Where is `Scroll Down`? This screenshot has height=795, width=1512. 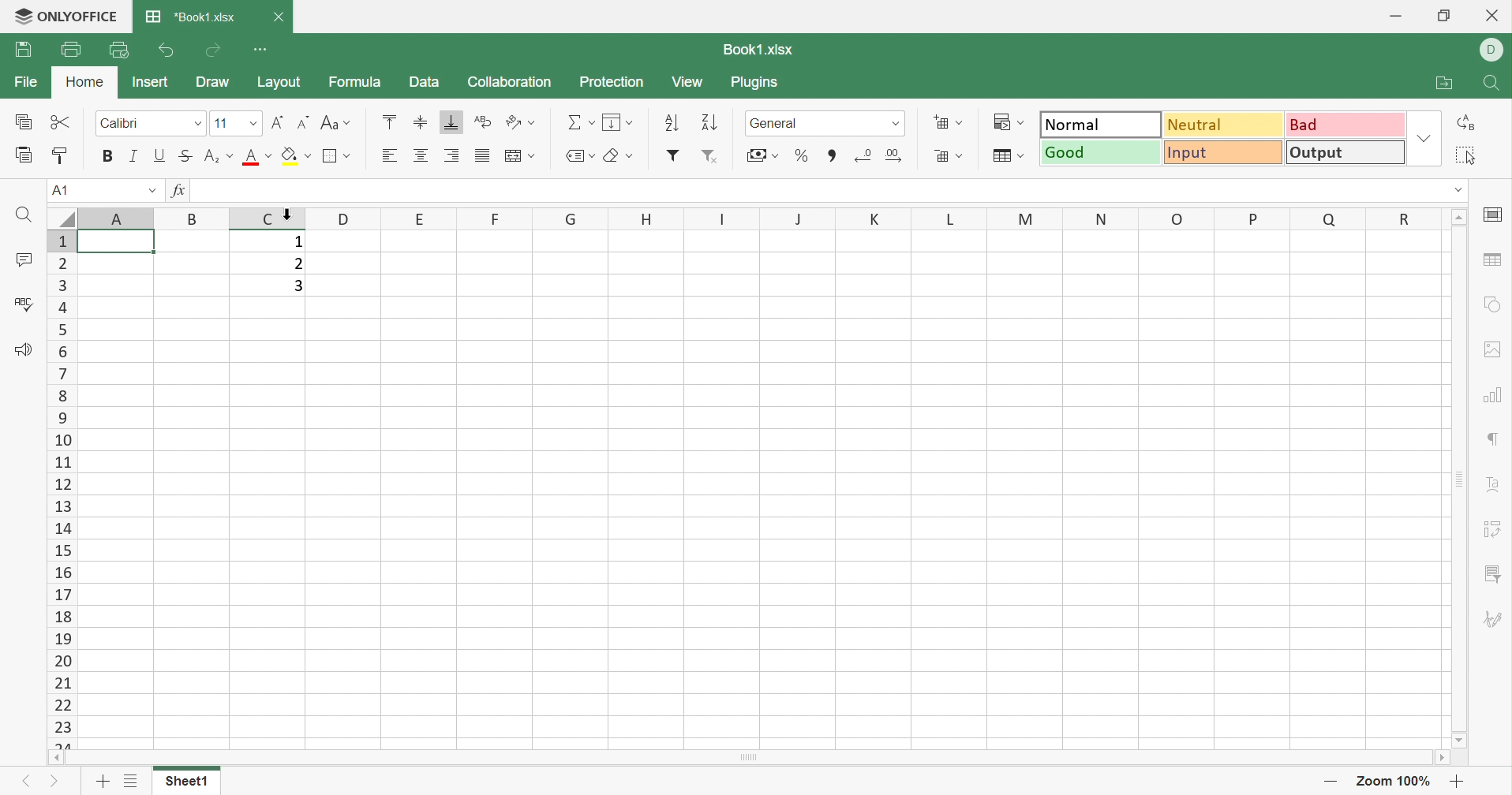
Scroll Down is located at coordinates (1462, 741).